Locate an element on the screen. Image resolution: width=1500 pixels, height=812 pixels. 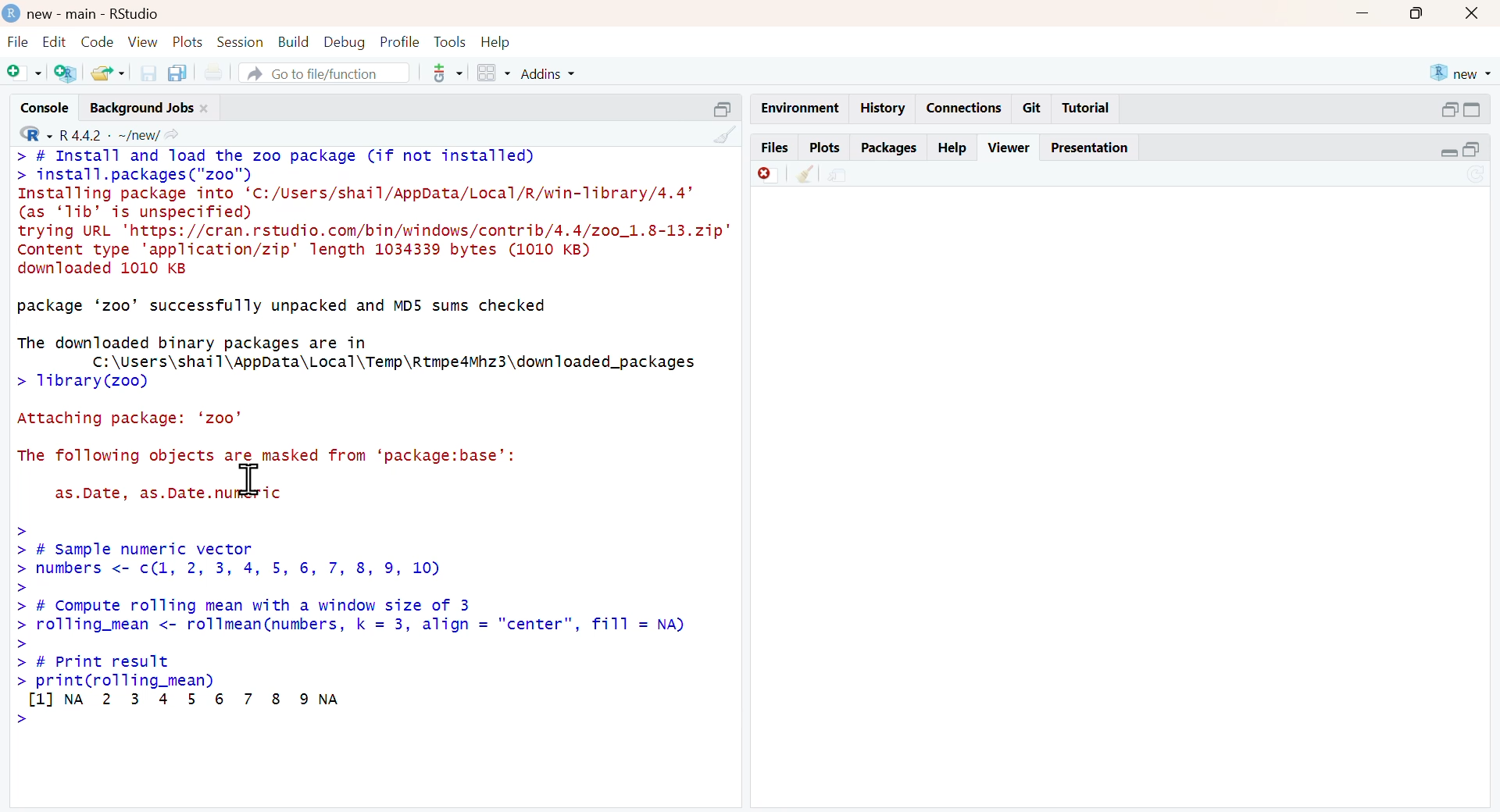
>
> # Sample numeric vector
> numbers <- c(1, 2, 3, 4, 5, 6, 7, 8, 9, 10)
>
> # Compute rolling mean with a window size of 3
> rolling_mean <- rollmean(numbers, k = 3, align = "center", fill = NA)
>
> # Print result
> print(rolling_mean)
[LJNA 2 3 4 5 6 7 8 9NA
> is located at coordinates (352, 625).